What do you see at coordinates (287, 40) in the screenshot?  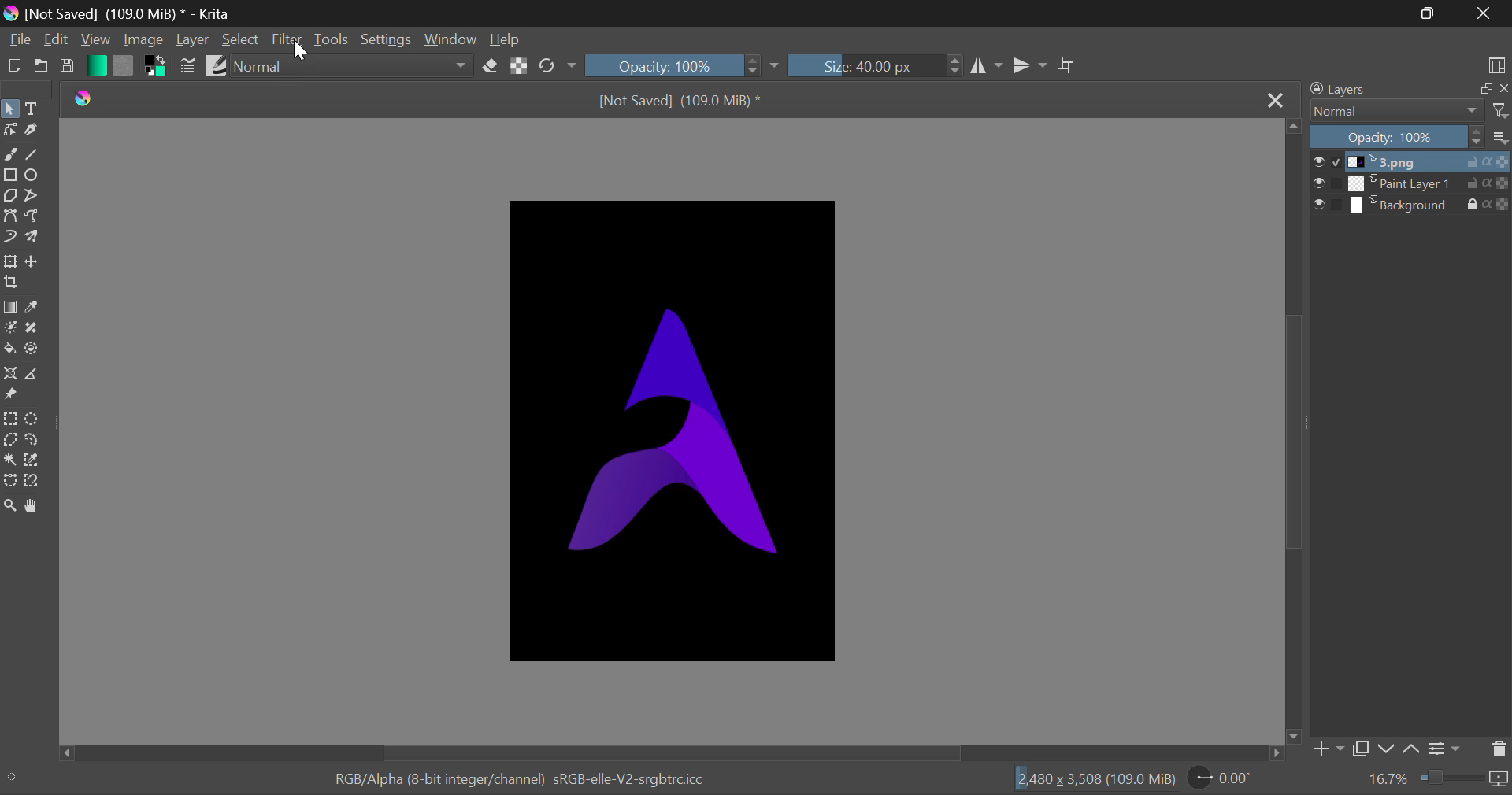 I see `Filter` at bounding box center [287, 40].